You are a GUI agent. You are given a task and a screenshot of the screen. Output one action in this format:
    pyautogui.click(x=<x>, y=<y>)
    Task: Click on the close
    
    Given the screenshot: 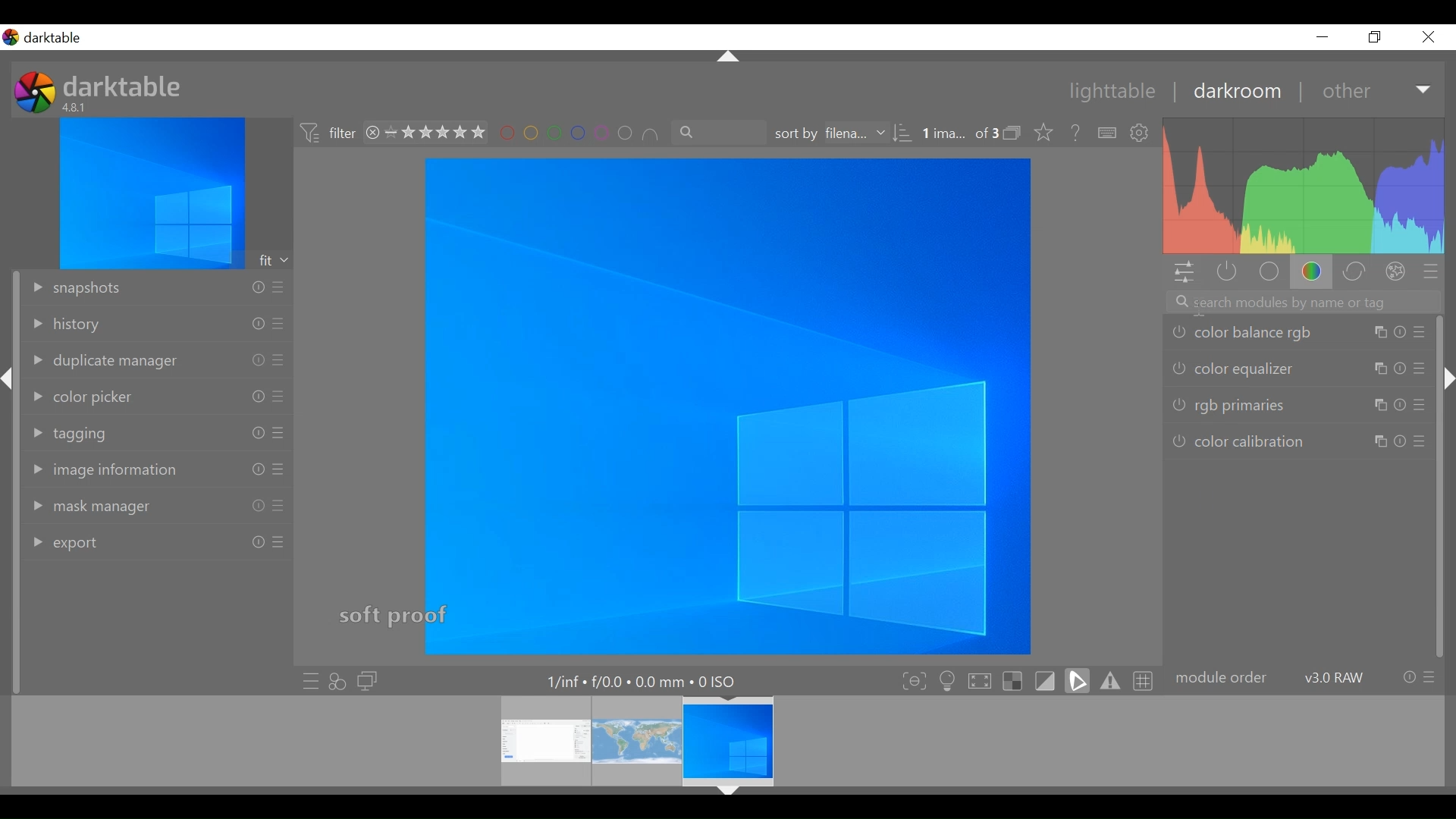 What is the action you would take?
    pyautogui.click(x=372, y=133)
    